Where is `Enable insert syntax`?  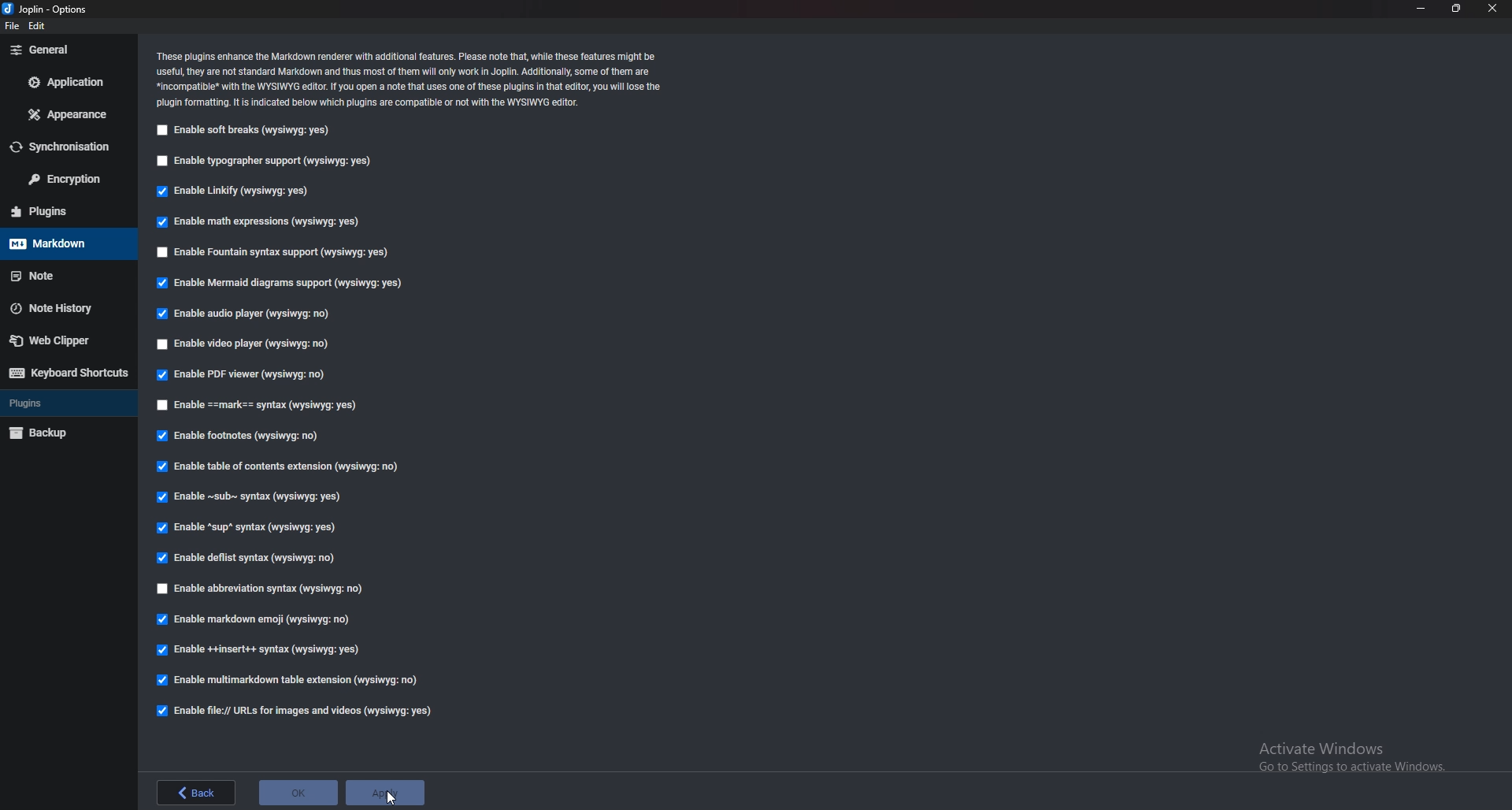 Enable insert syntax is located at coordinates (264, 648).